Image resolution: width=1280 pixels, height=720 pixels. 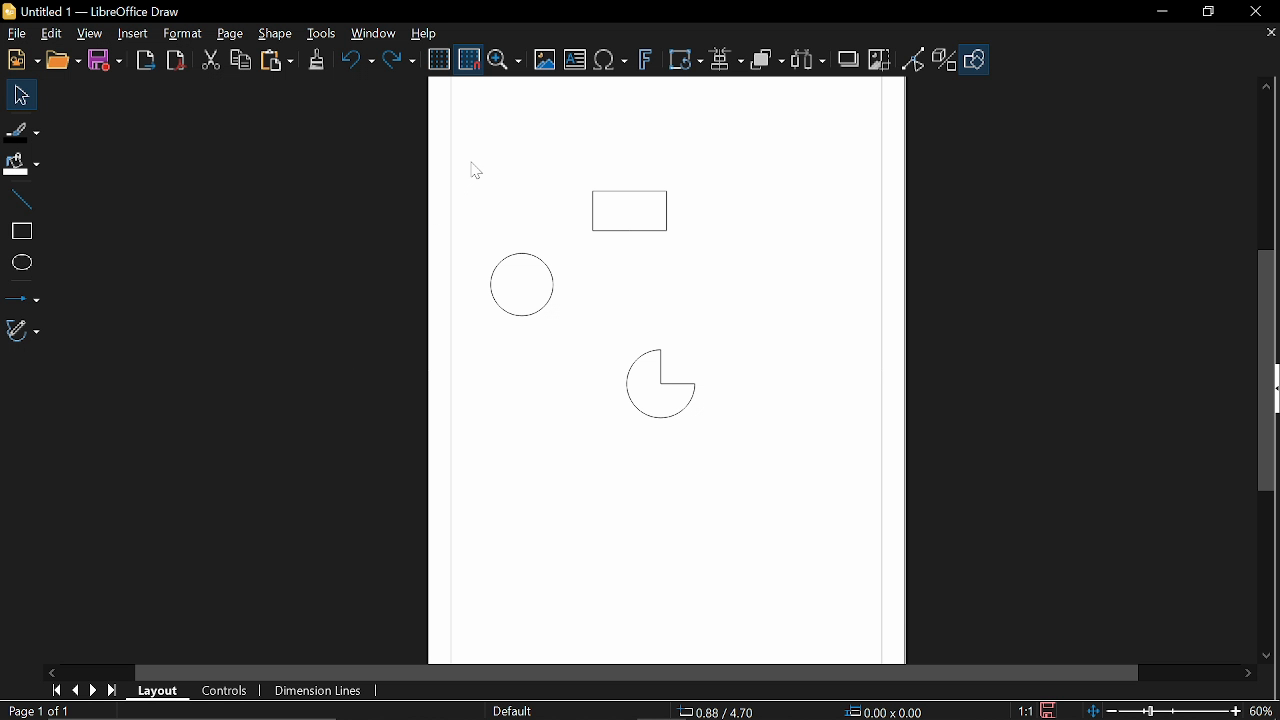 I want to click on Crop, so click(x=878, y=60).